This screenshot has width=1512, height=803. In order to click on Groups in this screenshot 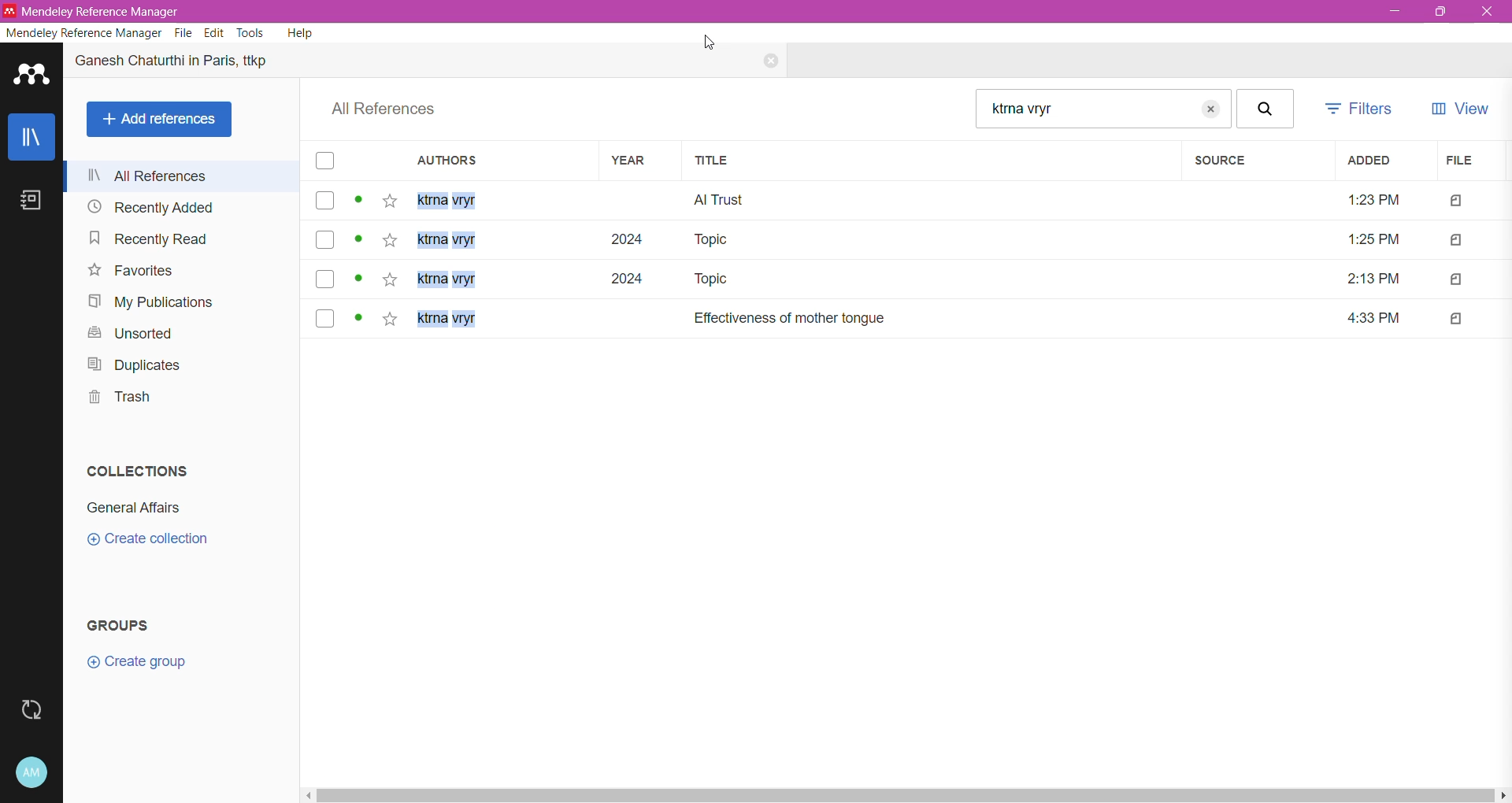, I will do `click(128, 624)`.